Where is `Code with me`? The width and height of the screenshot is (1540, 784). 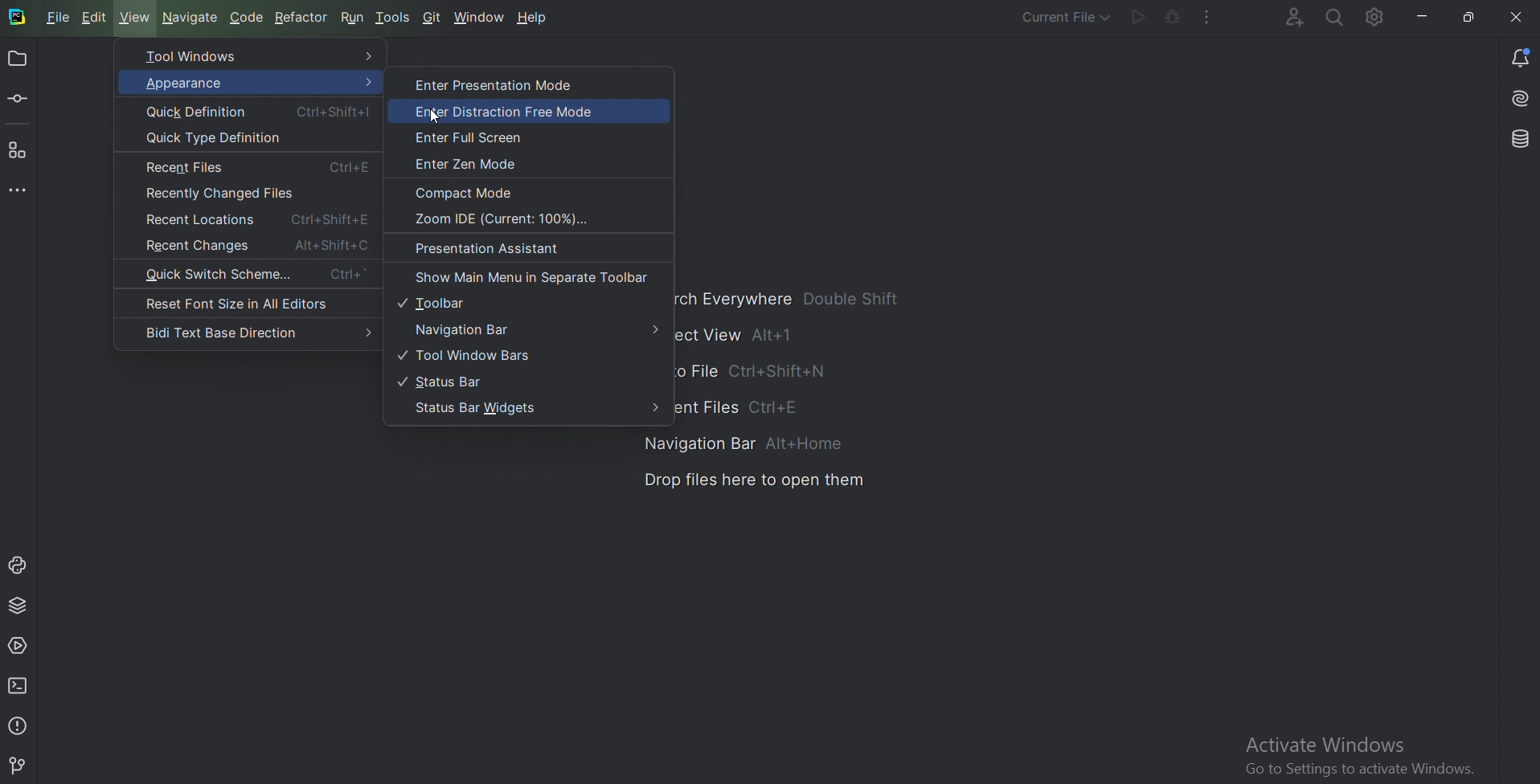
Code with me is located at coordinates (1283, 18).